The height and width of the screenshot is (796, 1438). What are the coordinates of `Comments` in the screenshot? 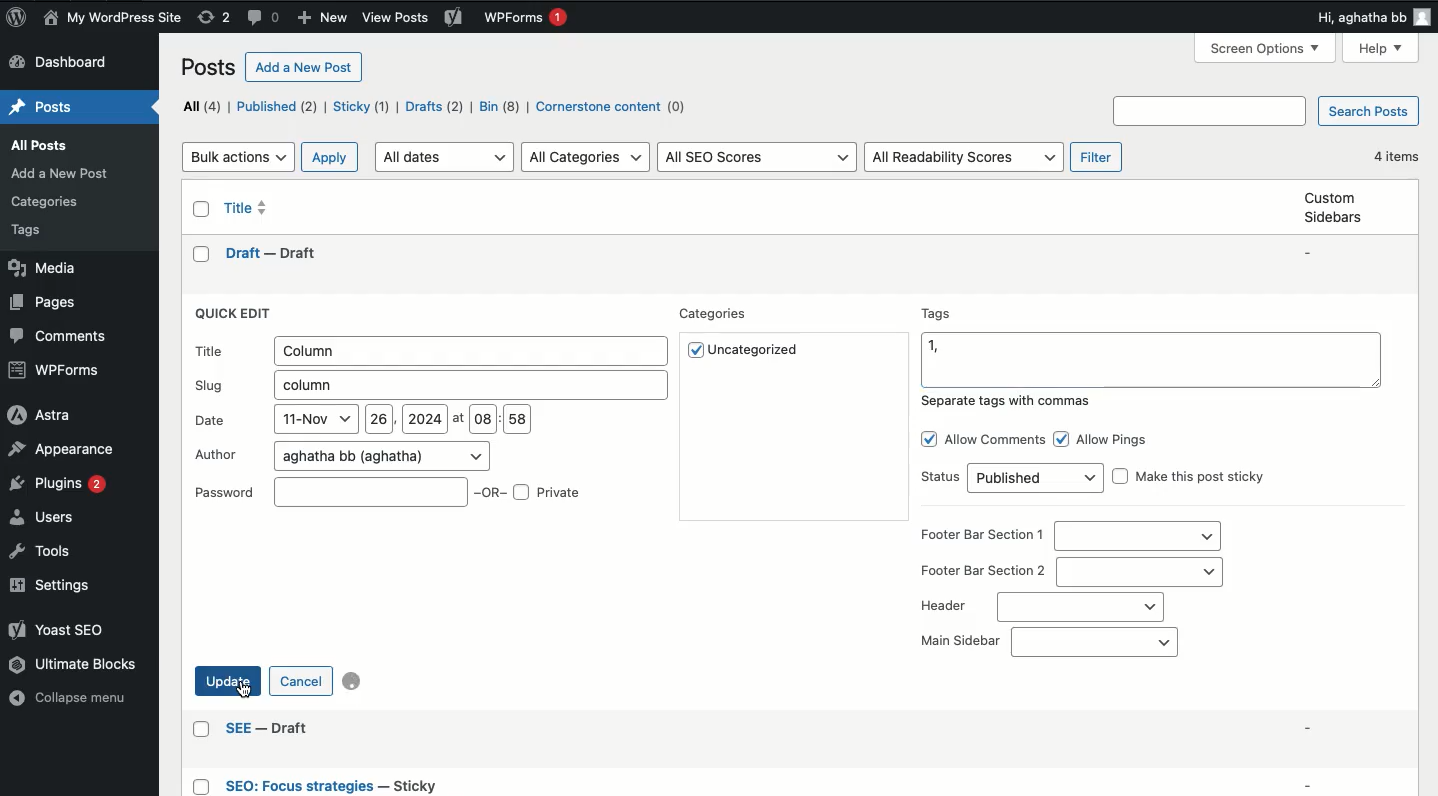 It's located at (56, 337).